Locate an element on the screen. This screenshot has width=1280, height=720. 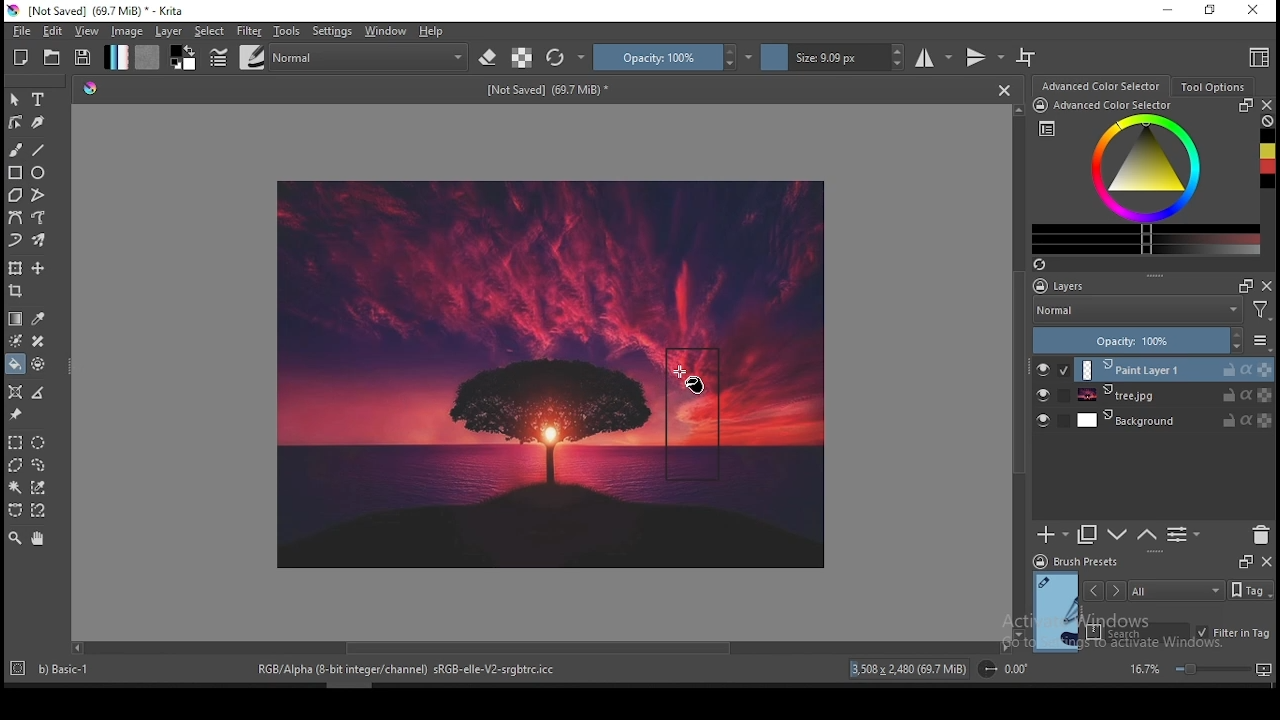
filter in tag is located at coordinates (1234, 631).